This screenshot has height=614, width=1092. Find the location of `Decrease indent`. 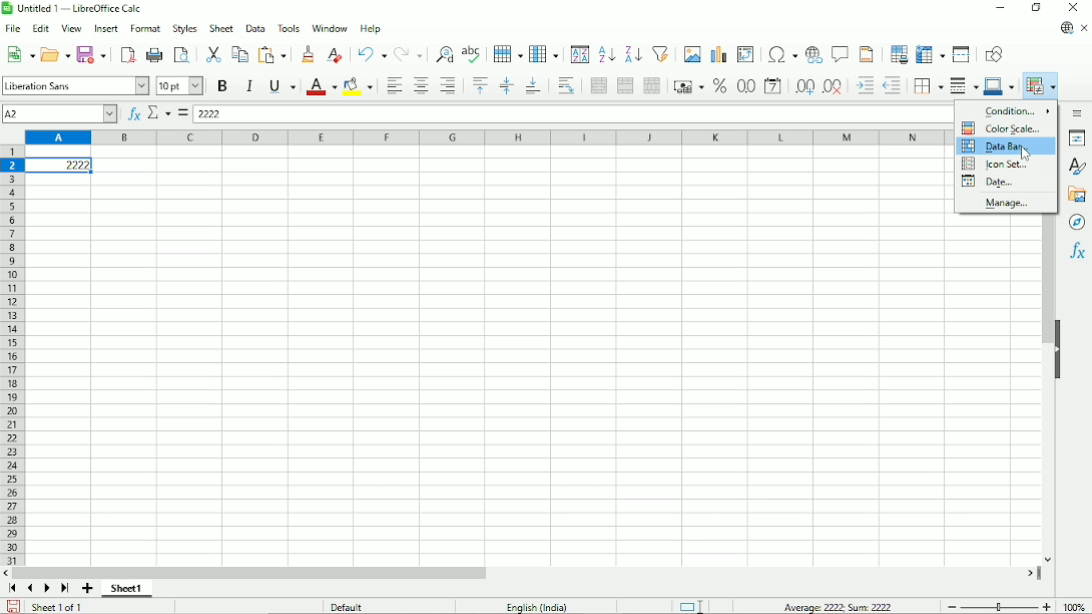

Decrease indent is located at coordinates (892, 86).